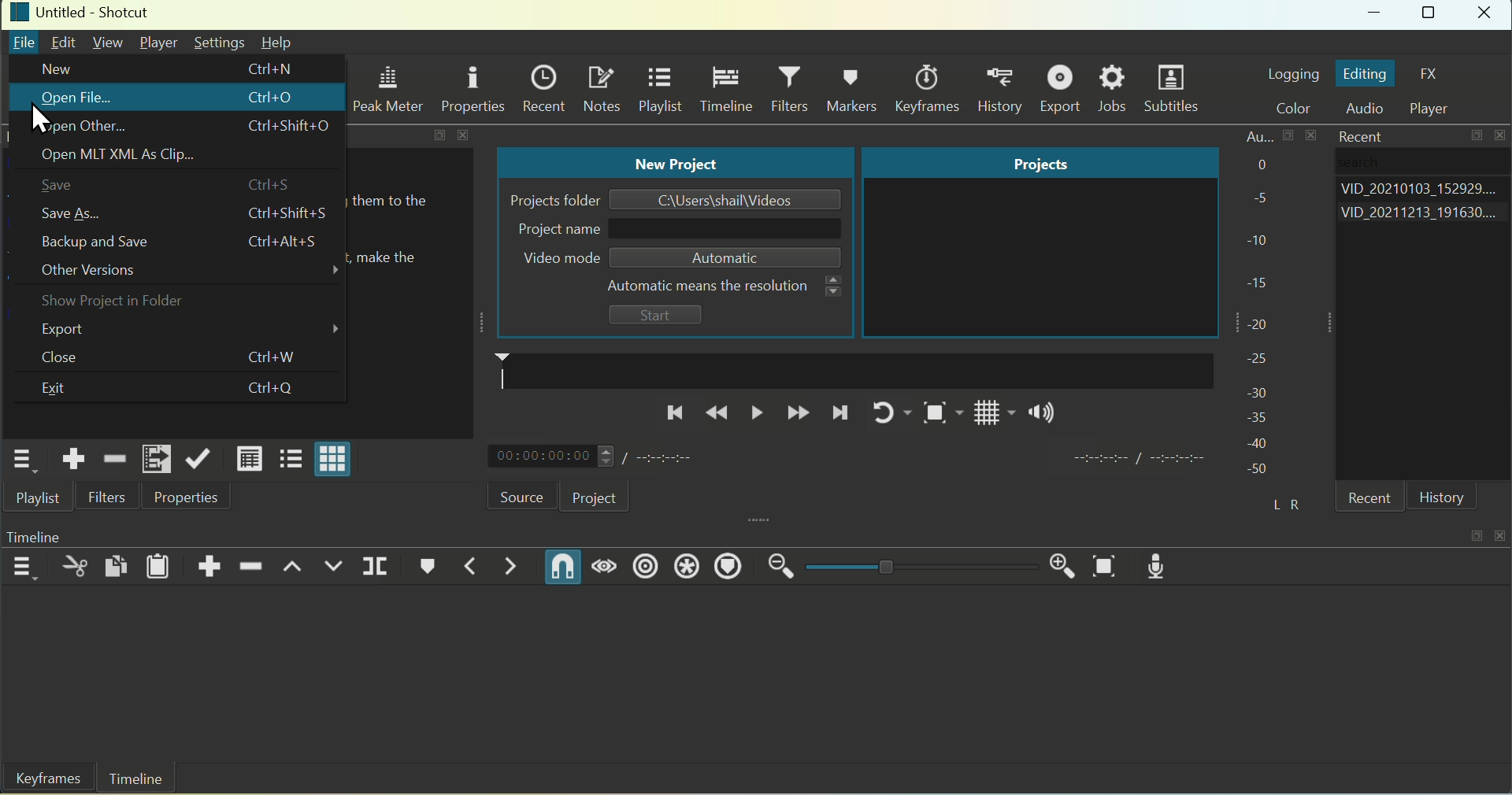 Image resolution: width=1512 pixels, height=795 pixels. What do you see at coordinates (1114, 89) in the screenshot?
I see `Jobs` at bounding box center [1114, 89].